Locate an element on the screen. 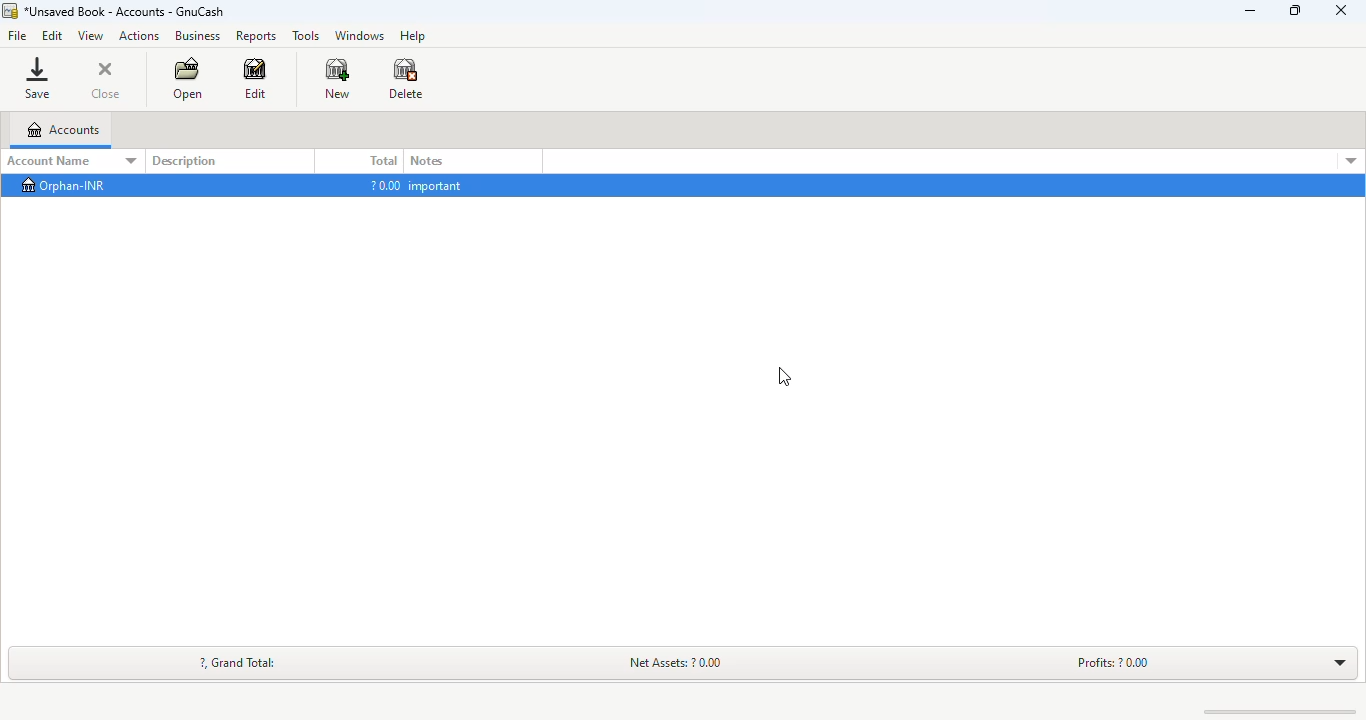 Image resolution: width=1366 pixels, height=720 pixels. orphan-INR is located at coordinates (65, 185).